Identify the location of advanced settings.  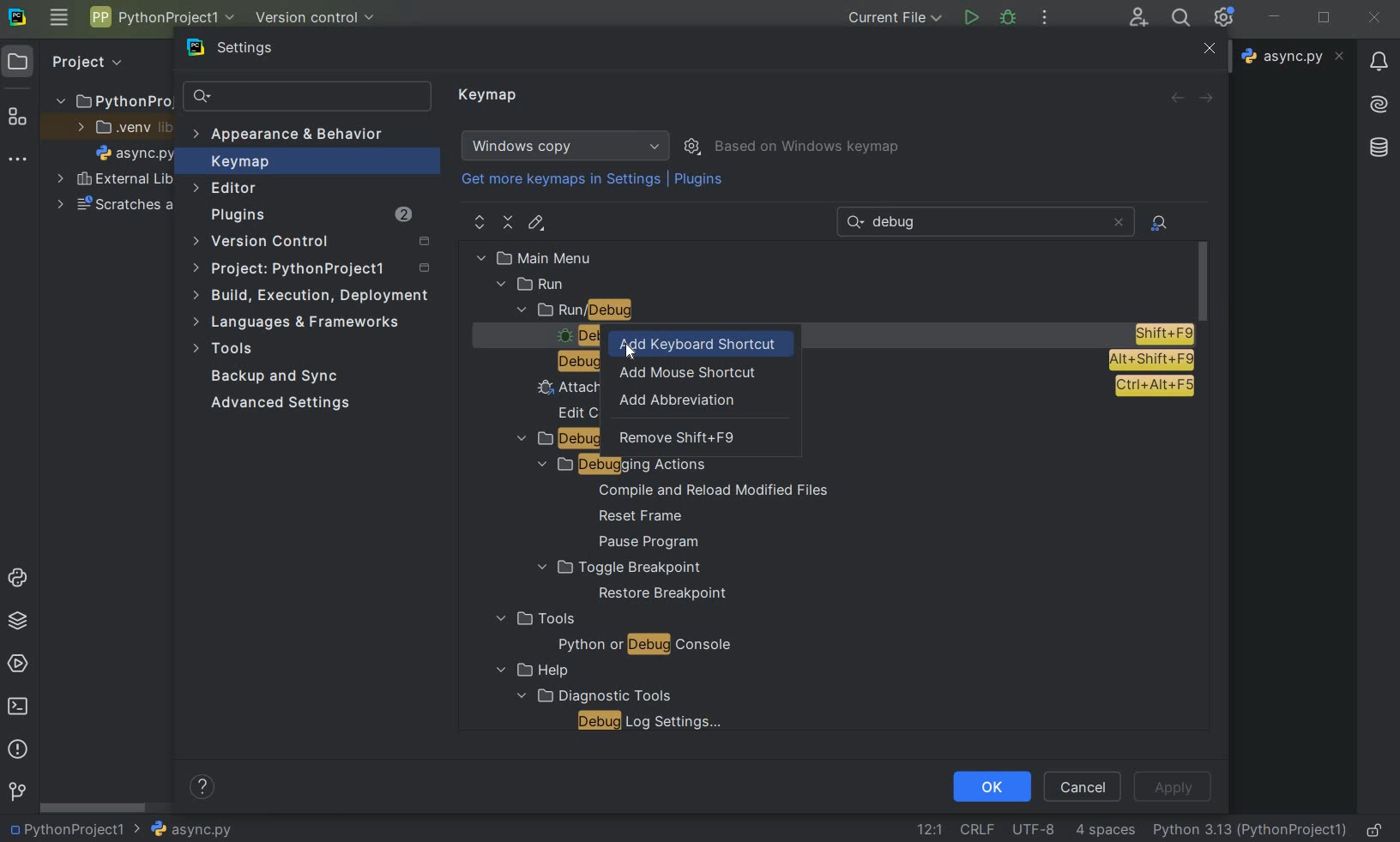
(277, 403).